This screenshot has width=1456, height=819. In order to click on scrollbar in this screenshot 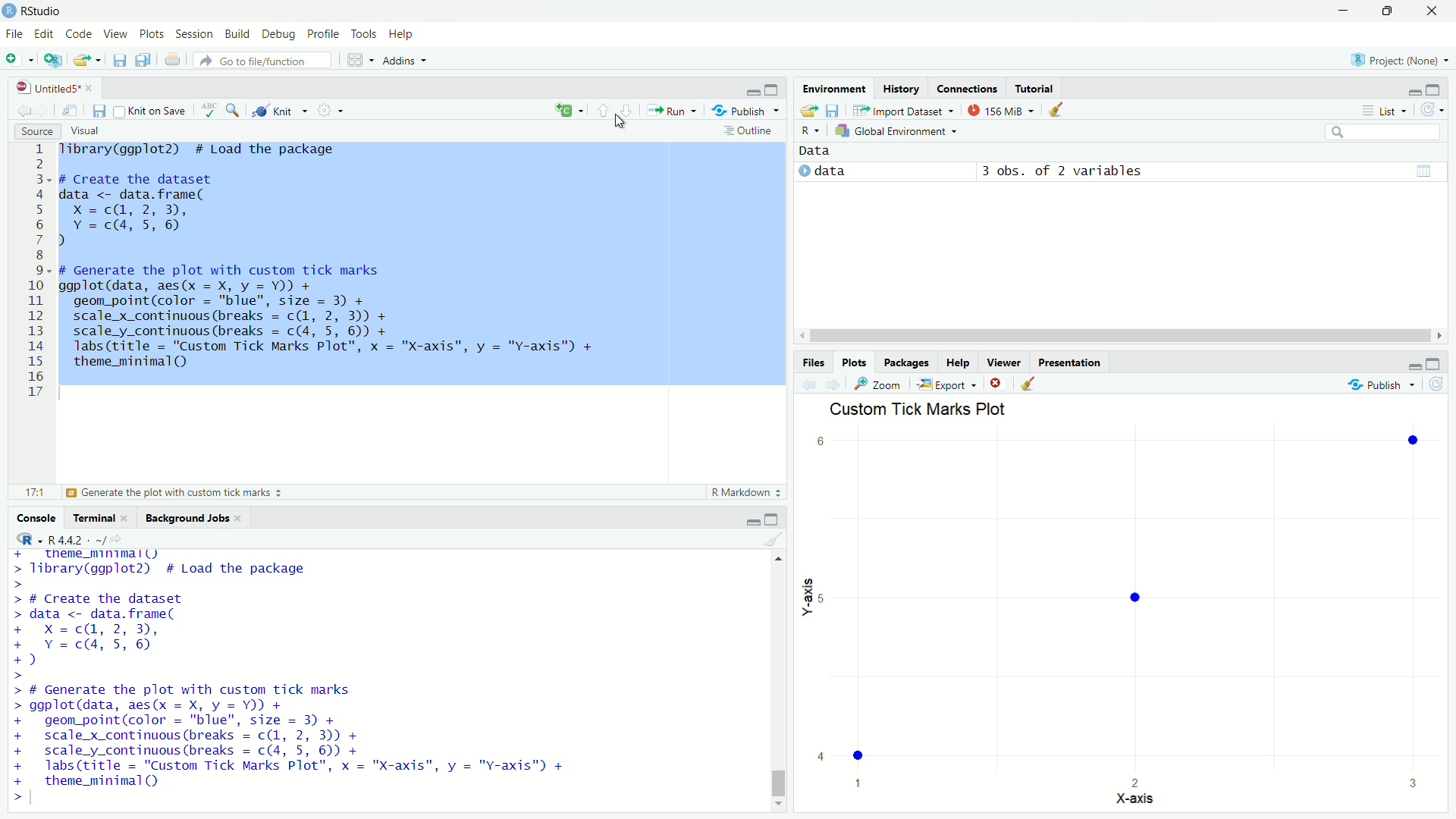, I will do `click(1116, 335)`.